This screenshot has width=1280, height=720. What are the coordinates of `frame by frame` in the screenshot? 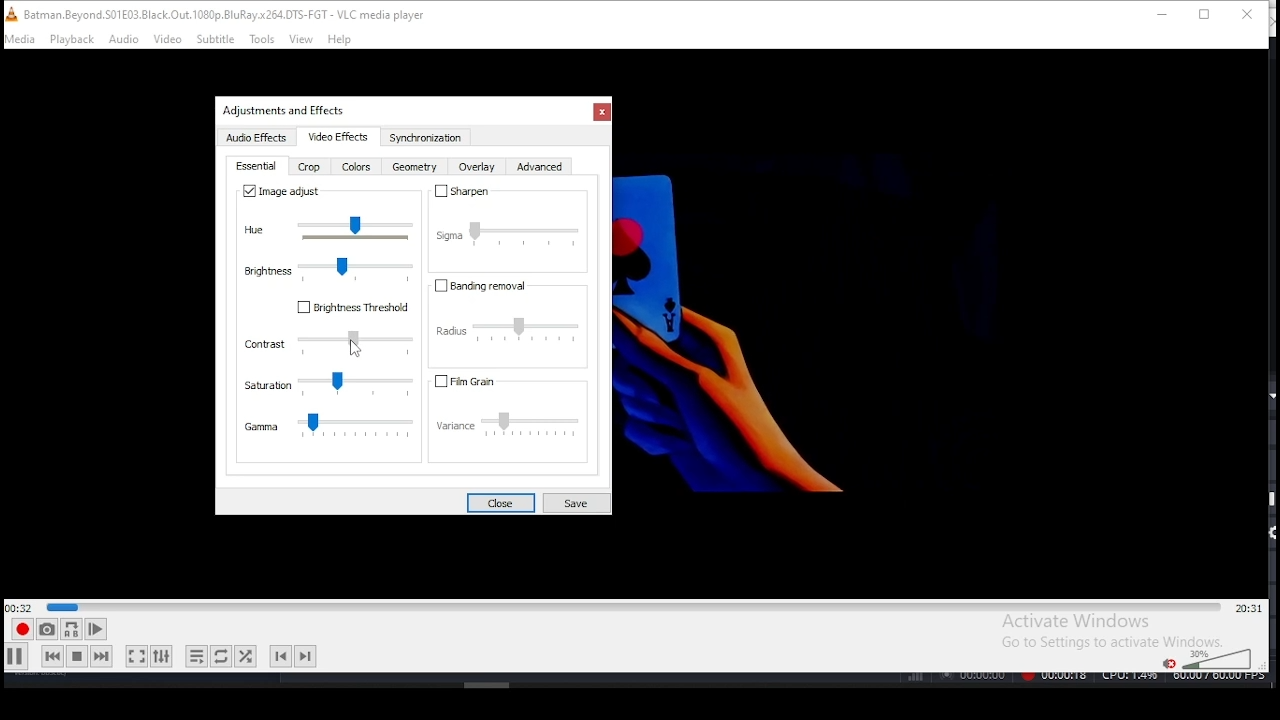 It's located at (94, 629).